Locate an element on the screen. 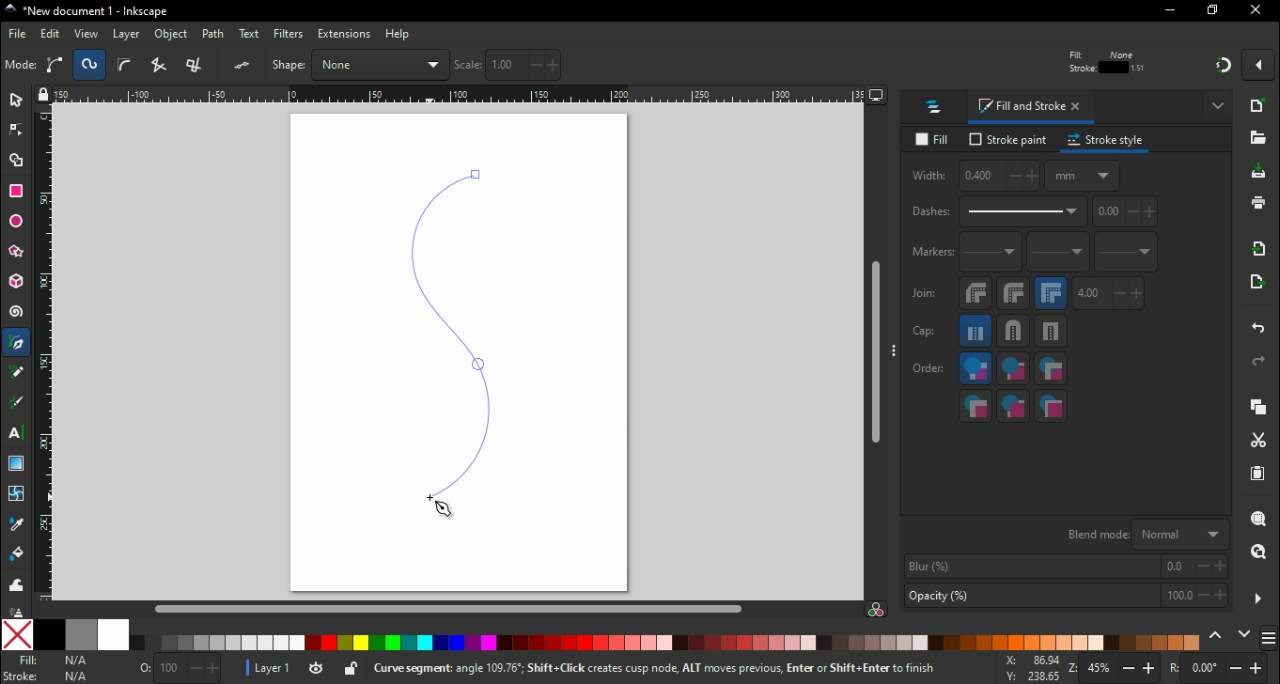  markers, stoke, fills is located at coordinates (1052, 407).